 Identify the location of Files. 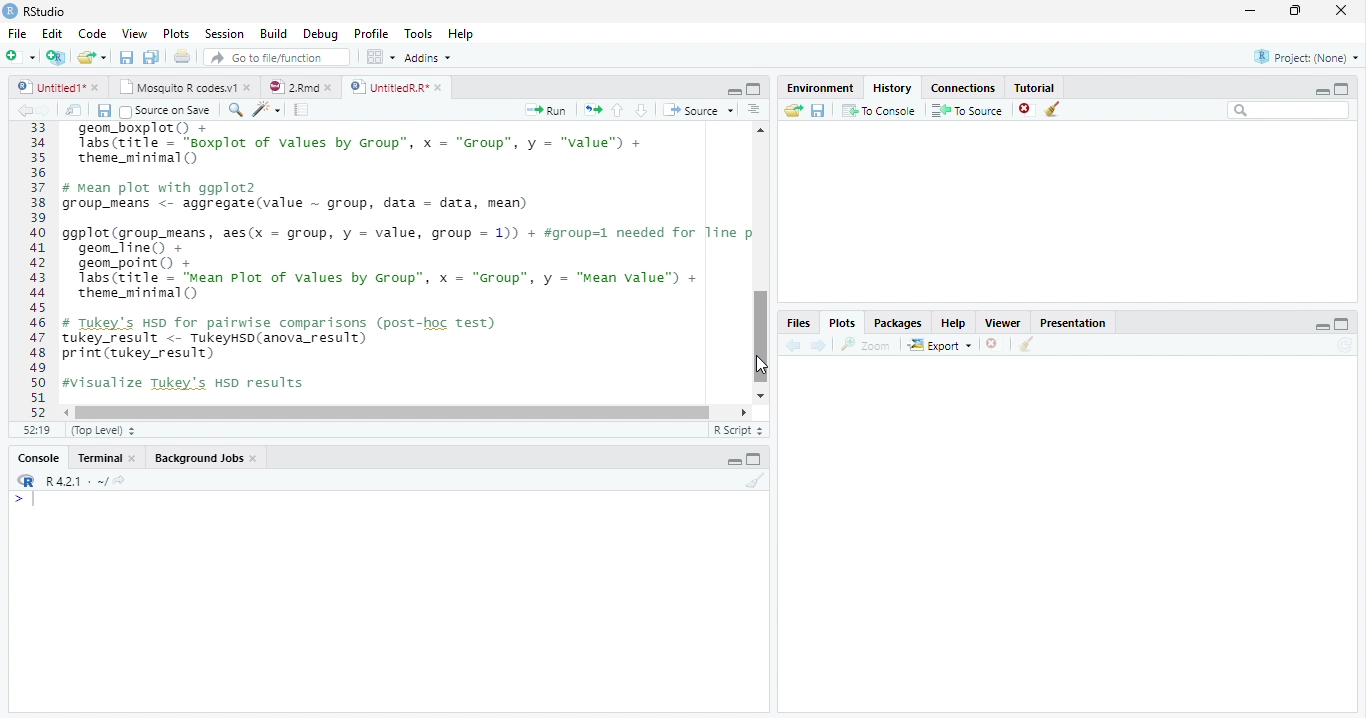
(797, 323).